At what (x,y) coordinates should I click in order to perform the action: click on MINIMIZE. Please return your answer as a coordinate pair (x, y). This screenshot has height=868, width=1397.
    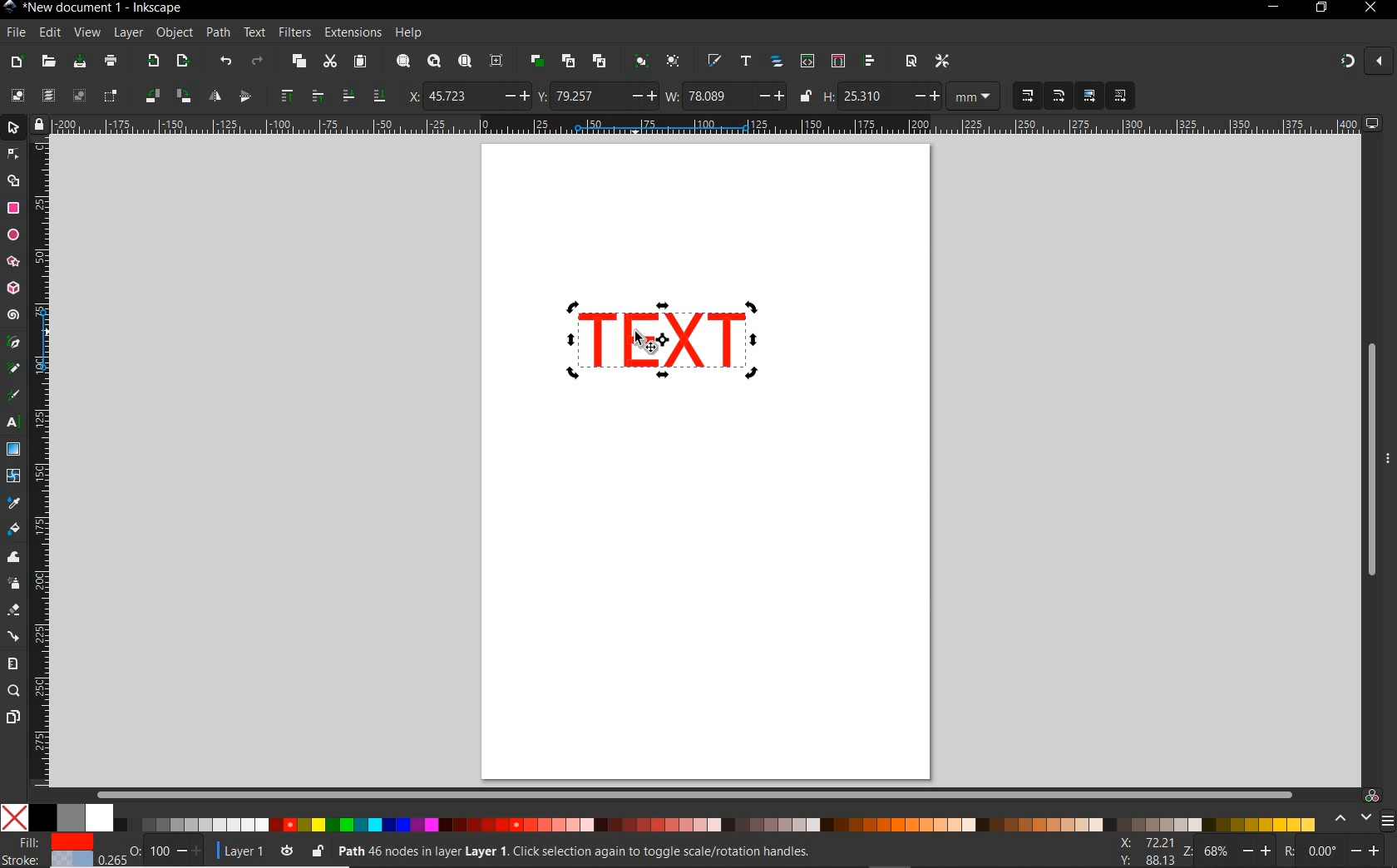
    Looking at the image, I should click on (1271, 7).